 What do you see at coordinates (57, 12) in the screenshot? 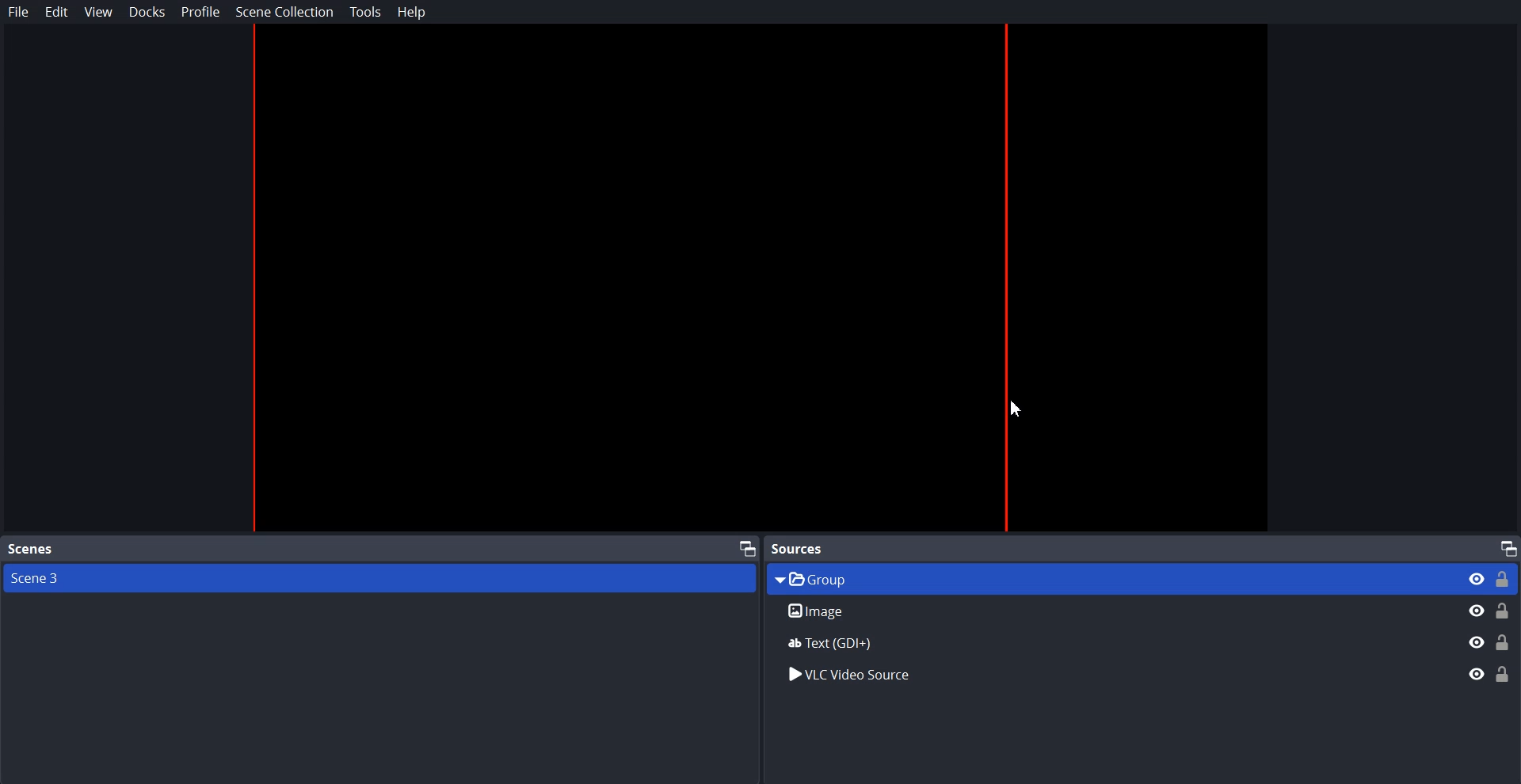
I see `Edit` at bounding box center [57, 12].